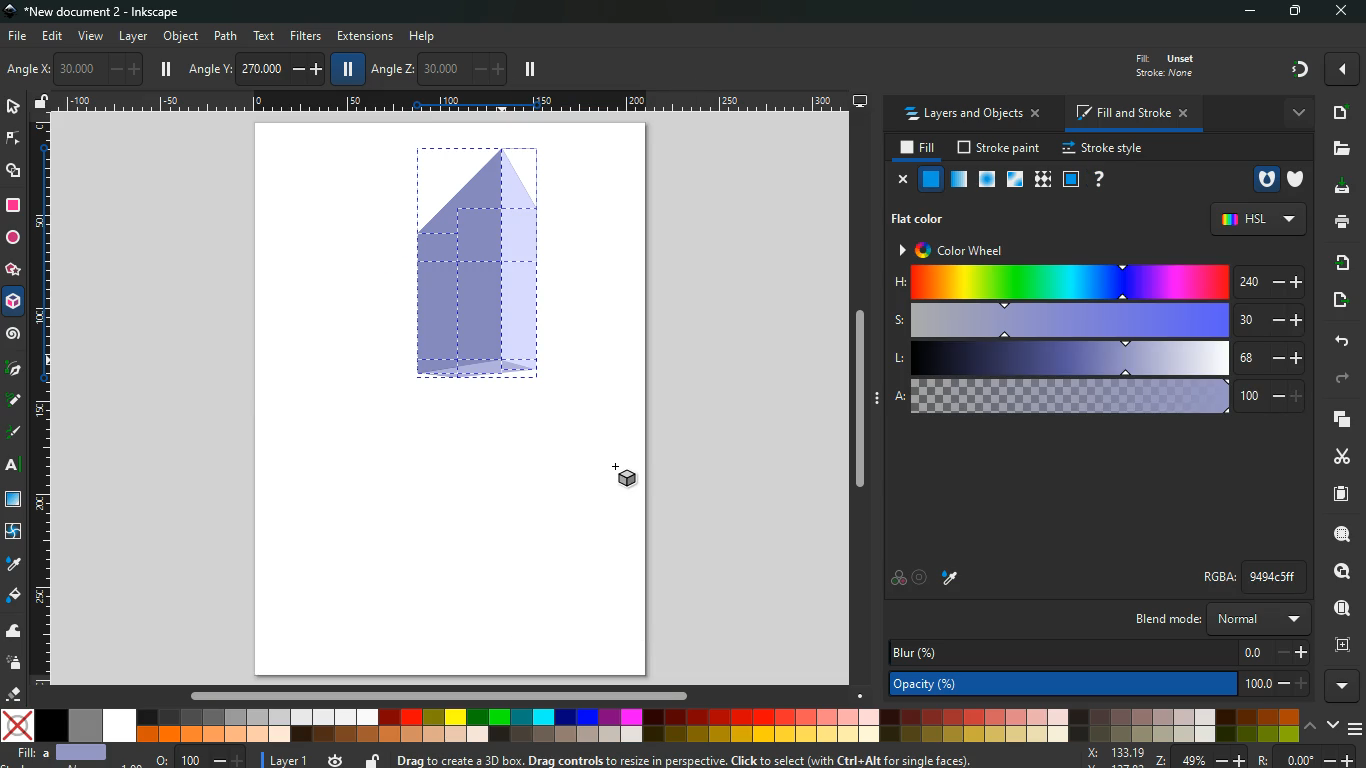  Describe the element at coordinates (1221, 758) in the screenshot. I see `zoom` at that location.